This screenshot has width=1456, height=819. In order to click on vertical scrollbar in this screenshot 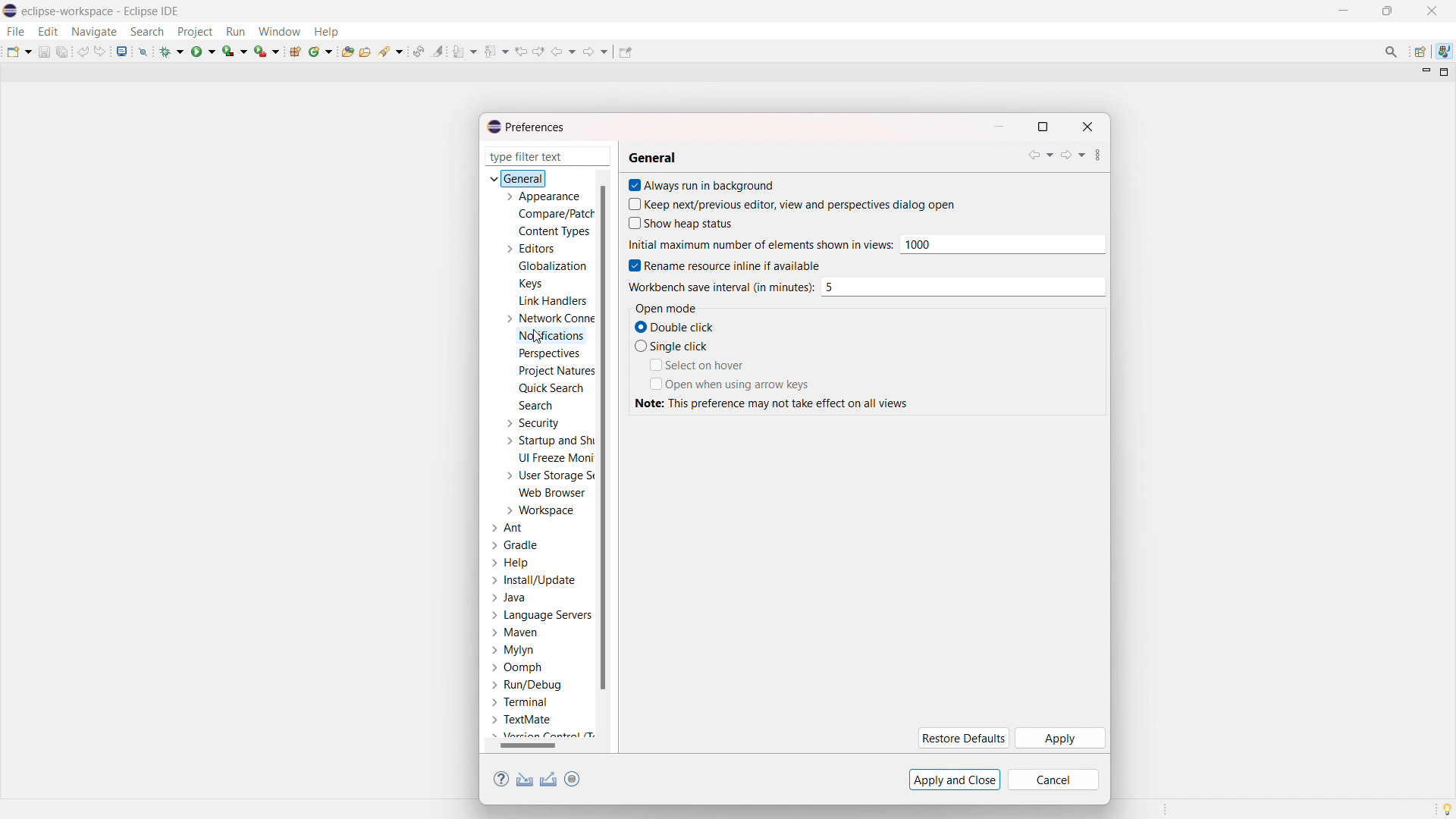, I will do `click(602, 436)`.